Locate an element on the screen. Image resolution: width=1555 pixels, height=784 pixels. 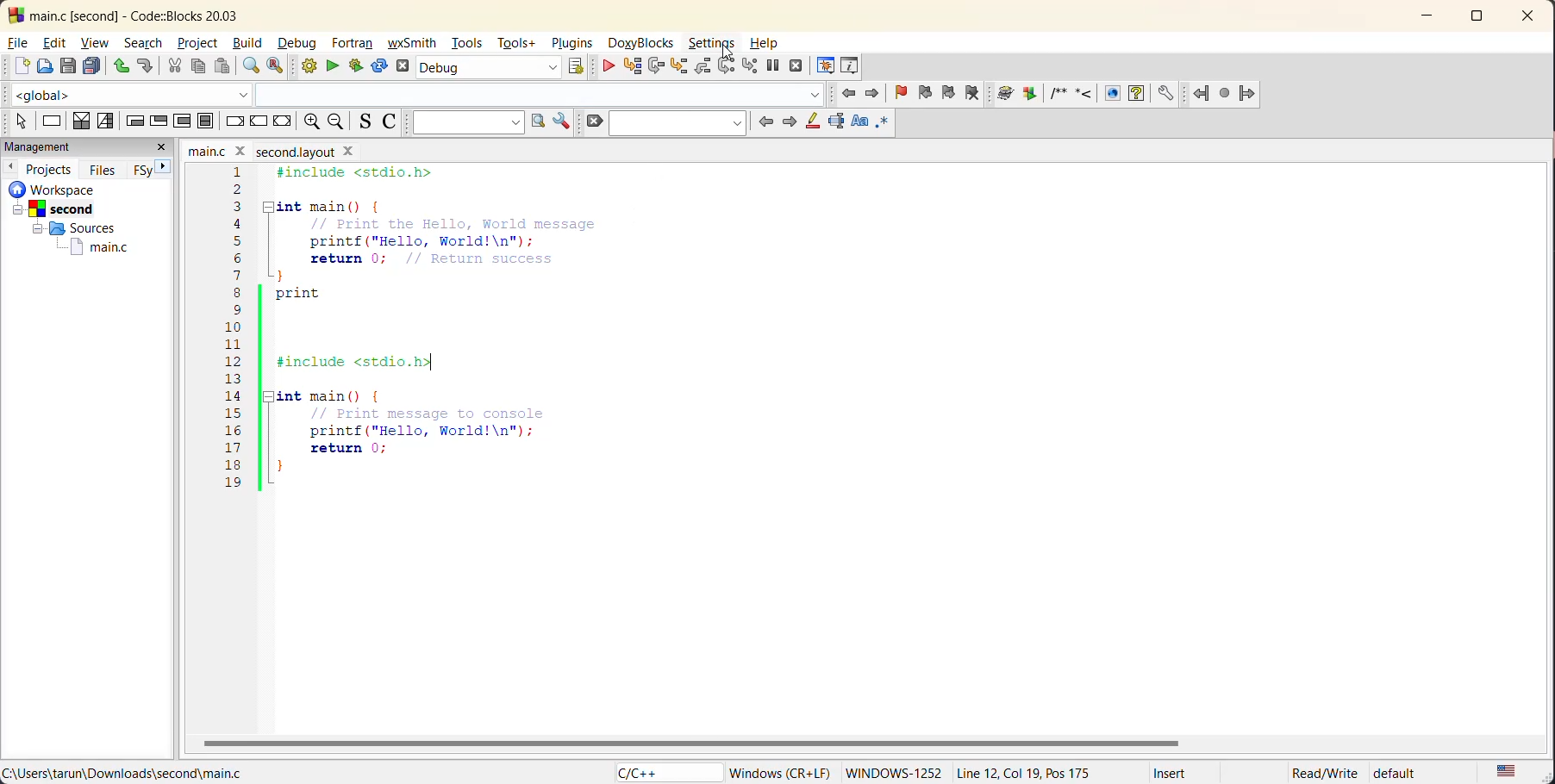
save is located at coordinates (66, 65).